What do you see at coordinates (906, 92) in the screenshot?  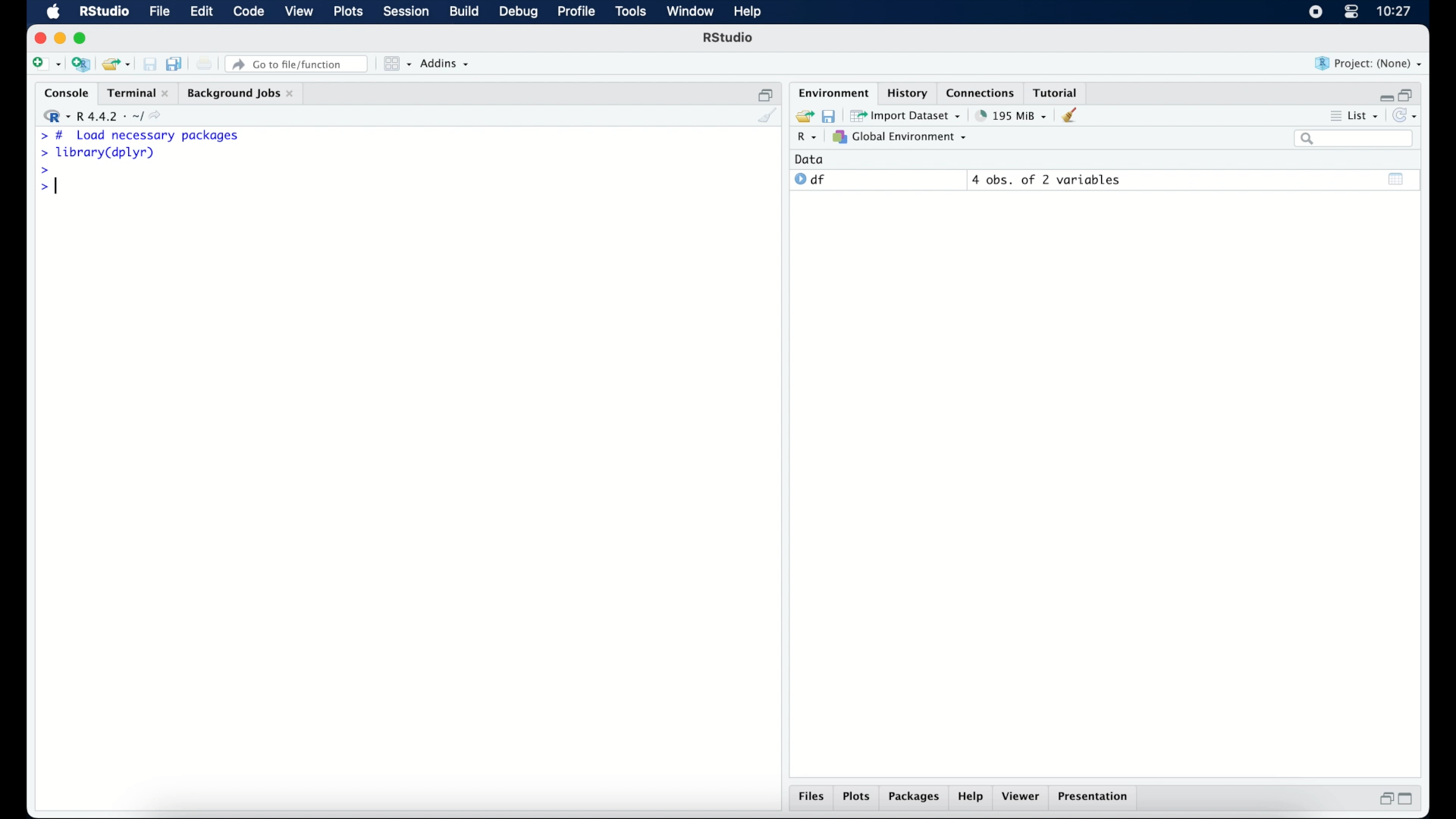 I see `history` at bounding box center [906, 92].